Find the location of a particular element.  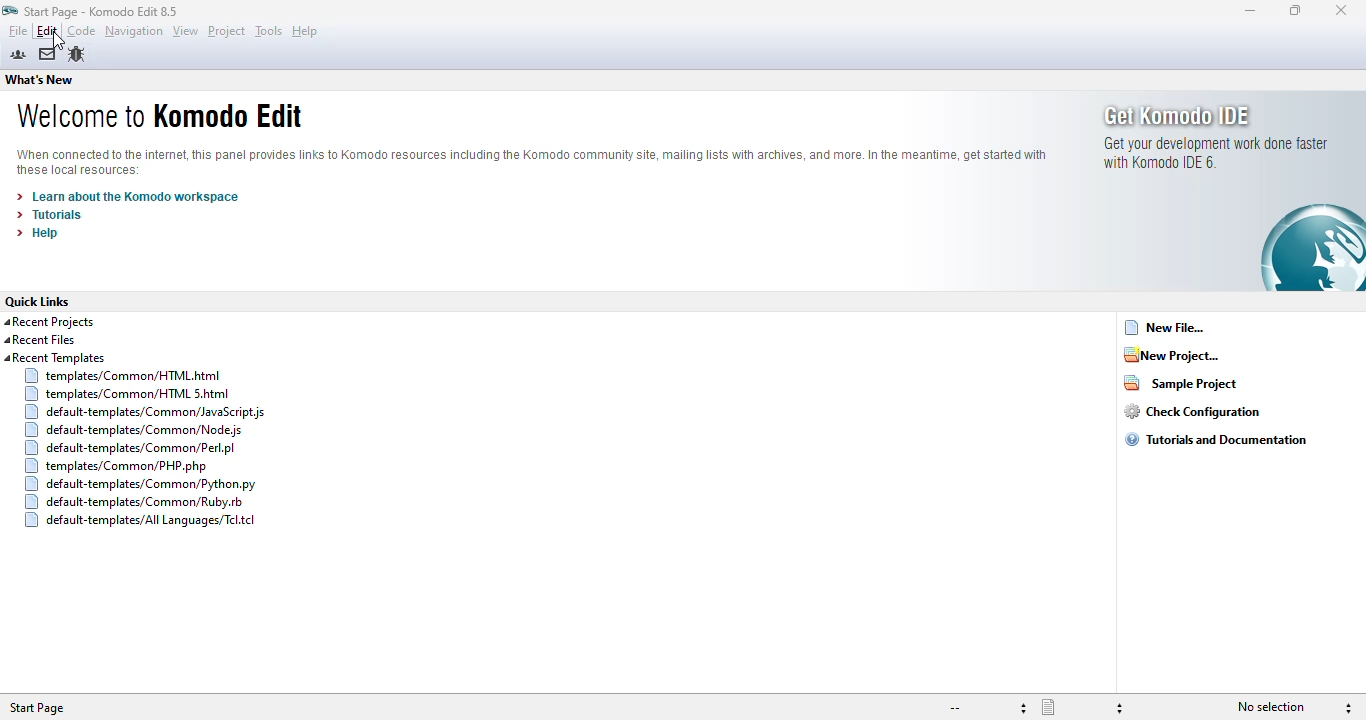

start page is located at coordinates (38, 708).